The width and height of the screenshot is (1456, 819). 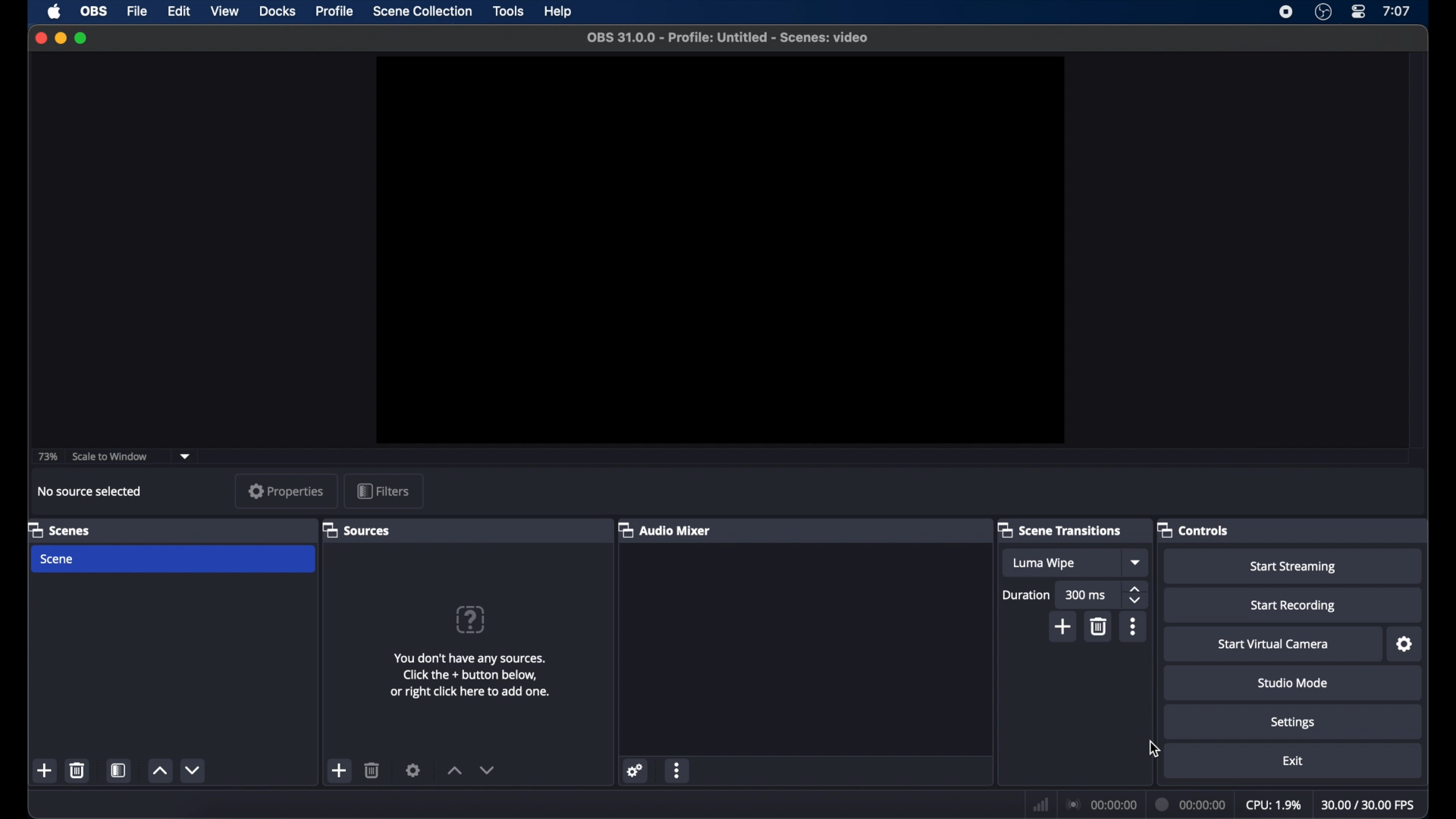 I want to click on settings, so click(x=1293, y=723).